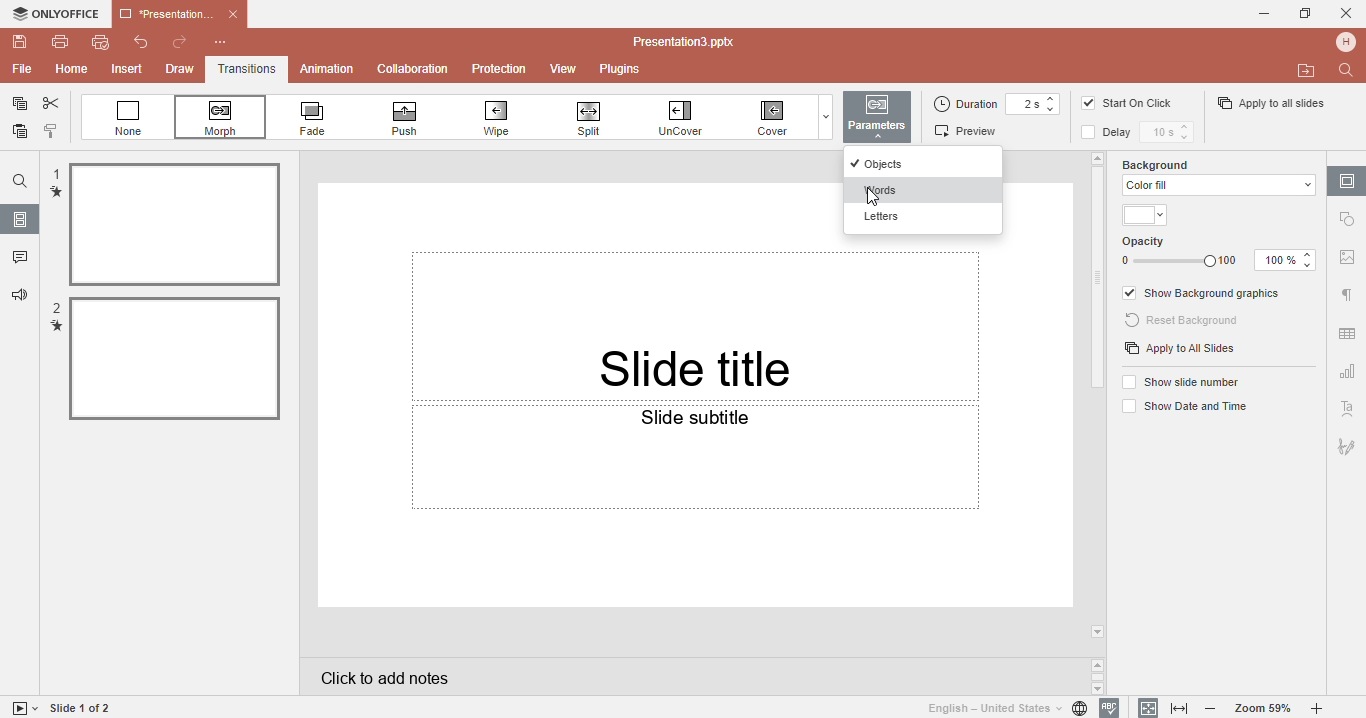 The width and height of the screenshot is (1366, 718). What do you see at coordinates (1346, 374) in the screenshot?
I see `Chart setting` at bounding box center [1346, 374].